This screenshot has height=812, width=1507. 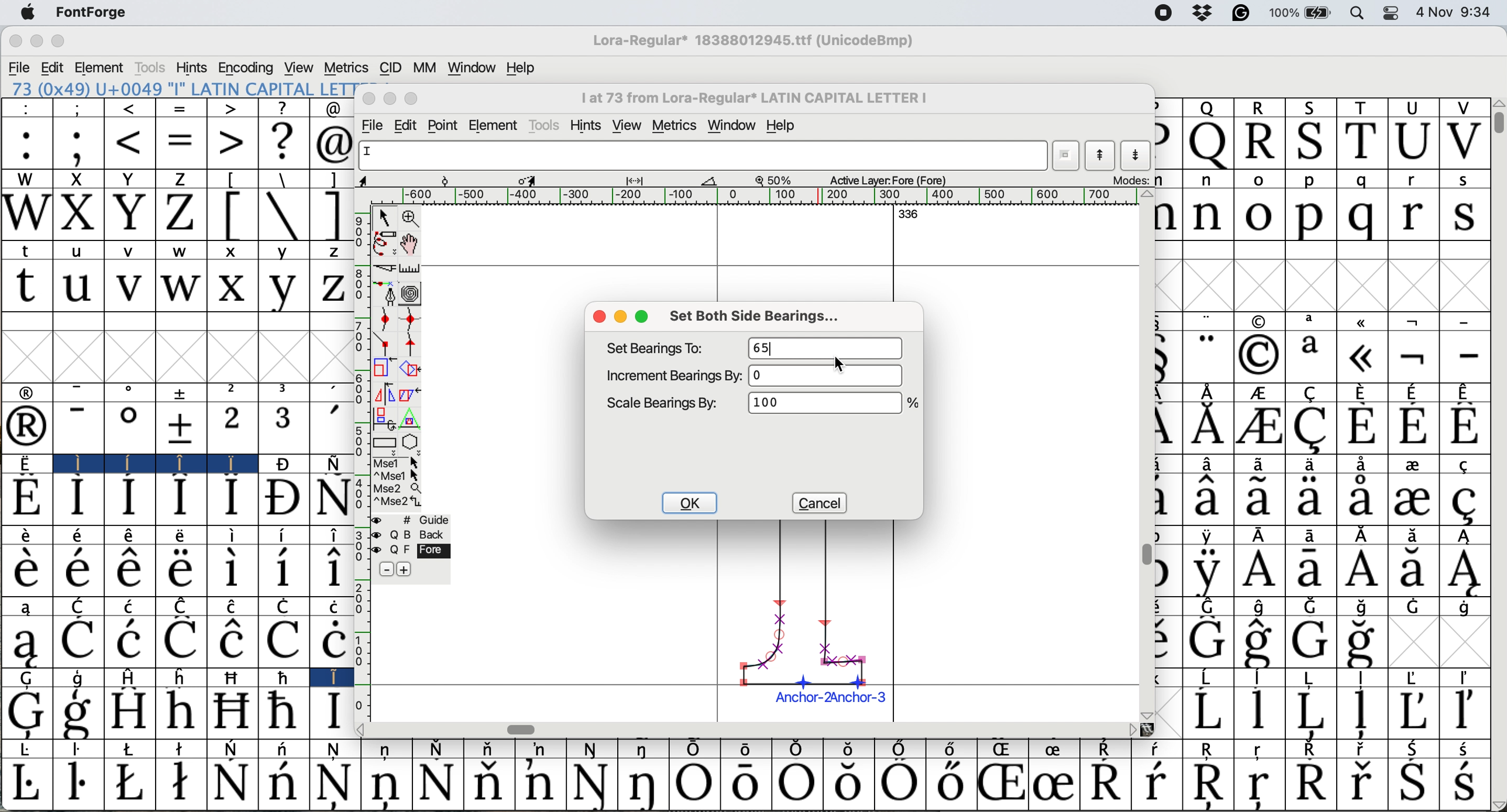 I want to click on increment bearings by, so click(x=673, y=375).